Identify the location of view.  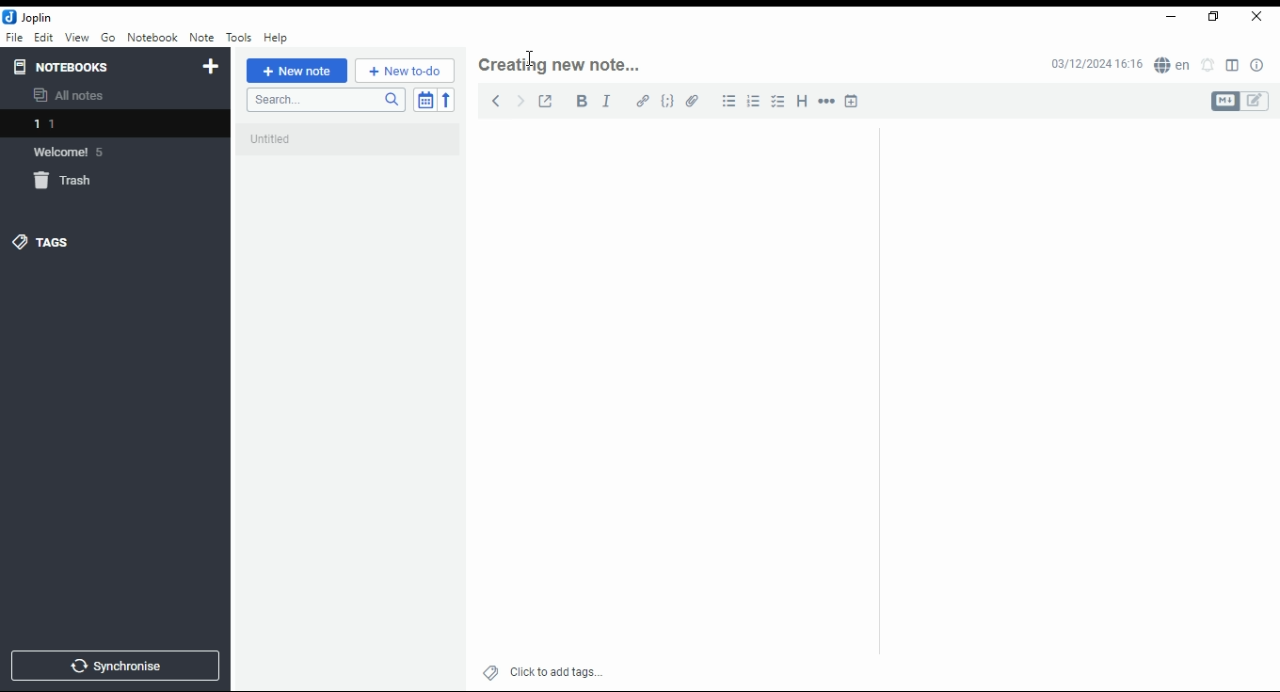
(77, 38).